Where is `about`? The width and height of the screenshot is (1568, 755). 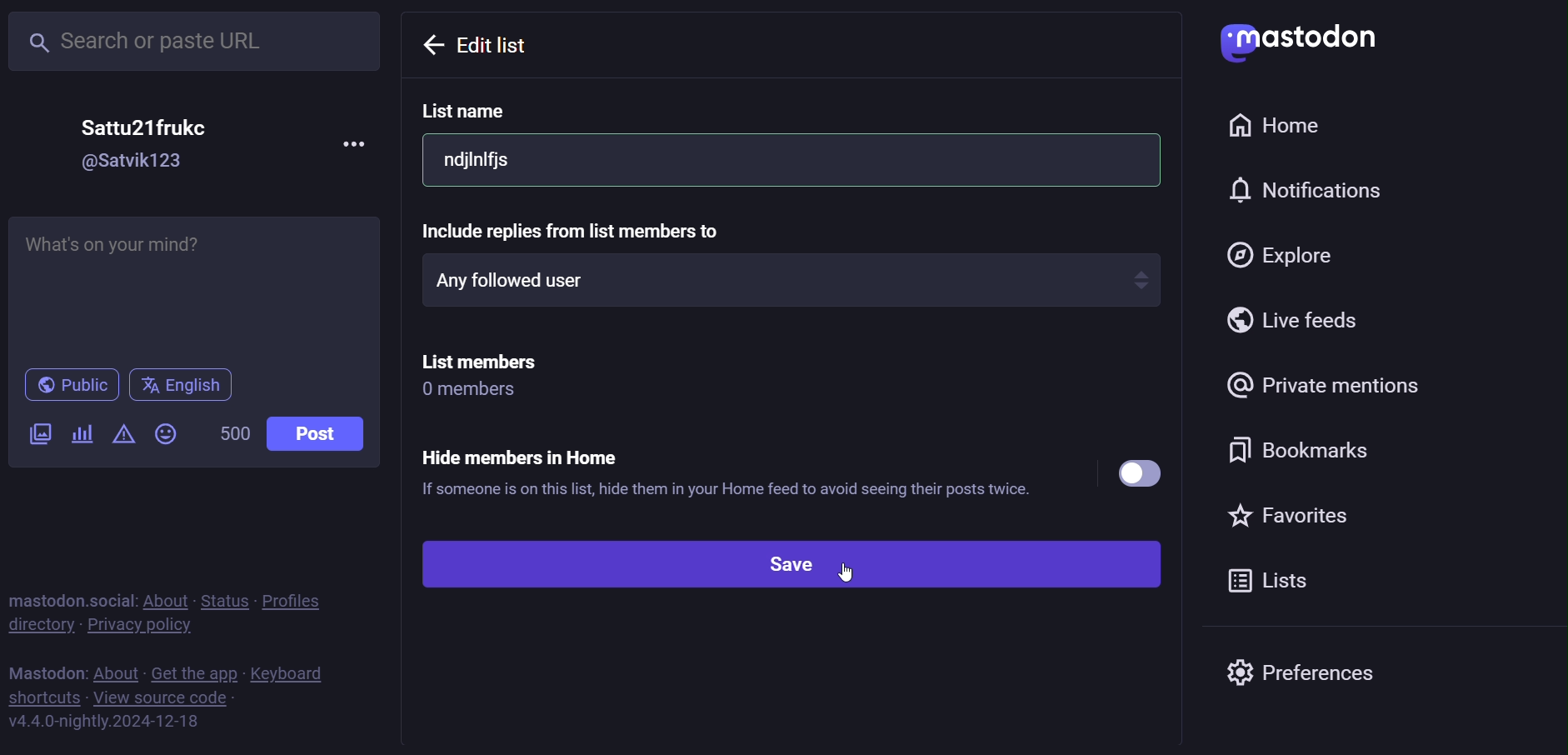 about is located at coordinates (115, 671).